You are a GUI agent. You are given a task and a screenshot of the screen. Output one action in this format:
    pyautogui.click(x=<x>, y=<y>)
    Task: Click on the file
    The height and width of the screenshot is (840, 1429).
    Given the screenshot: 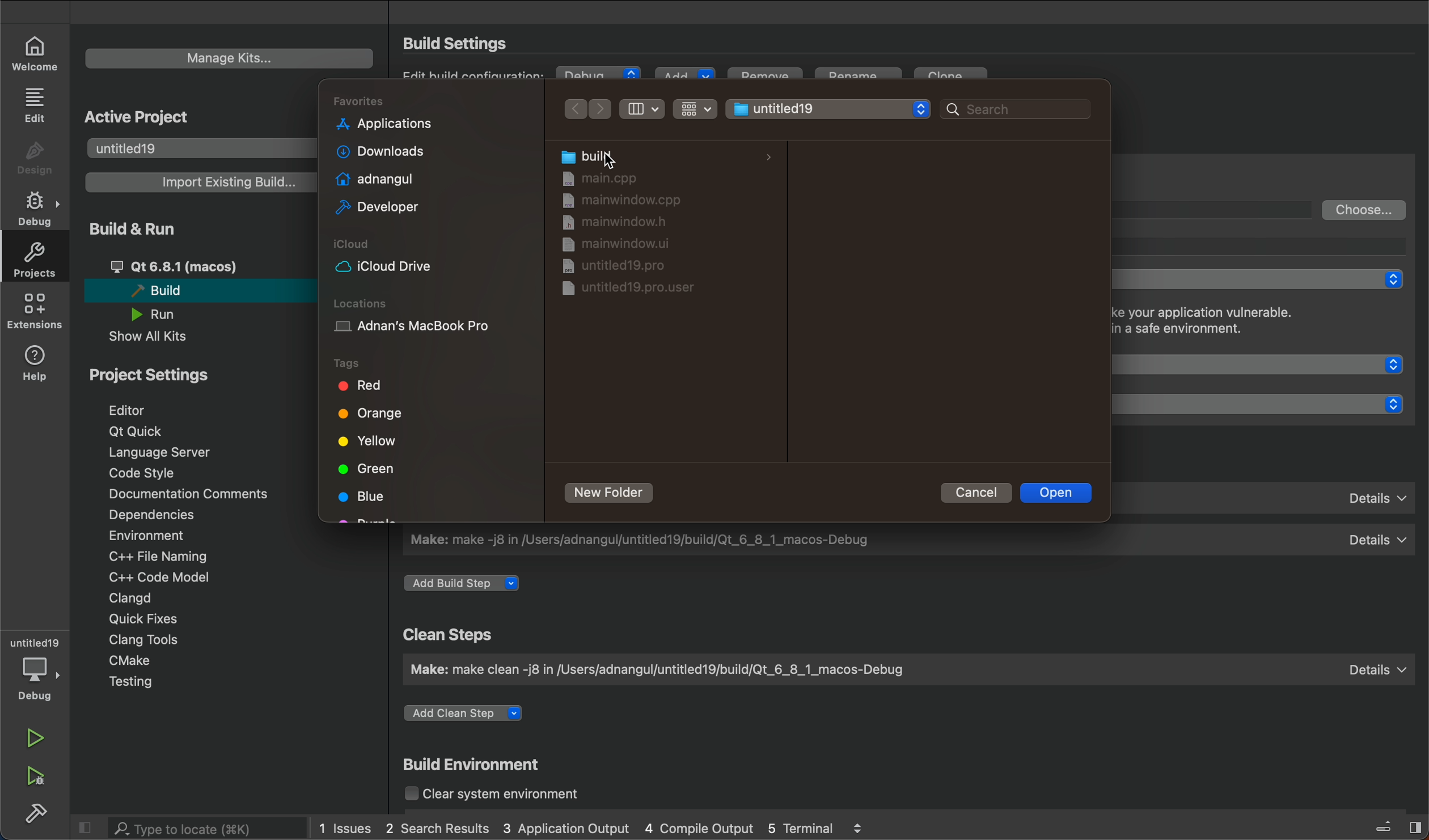 What is the action you would take?
    pyautogui.click(x=623, y=292)
    